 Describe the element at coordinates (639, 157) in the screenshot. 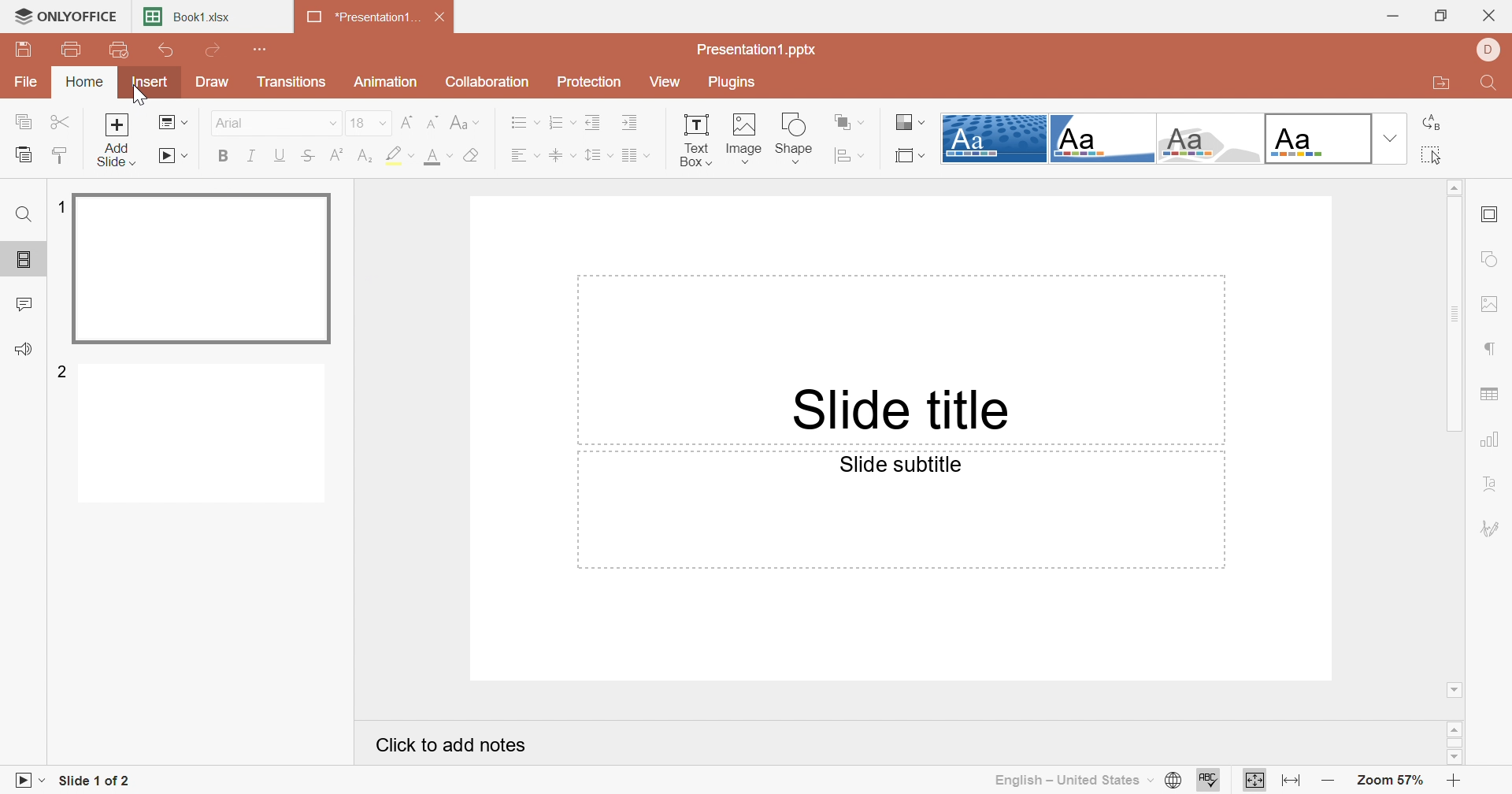

I see `Add columns` at that location.